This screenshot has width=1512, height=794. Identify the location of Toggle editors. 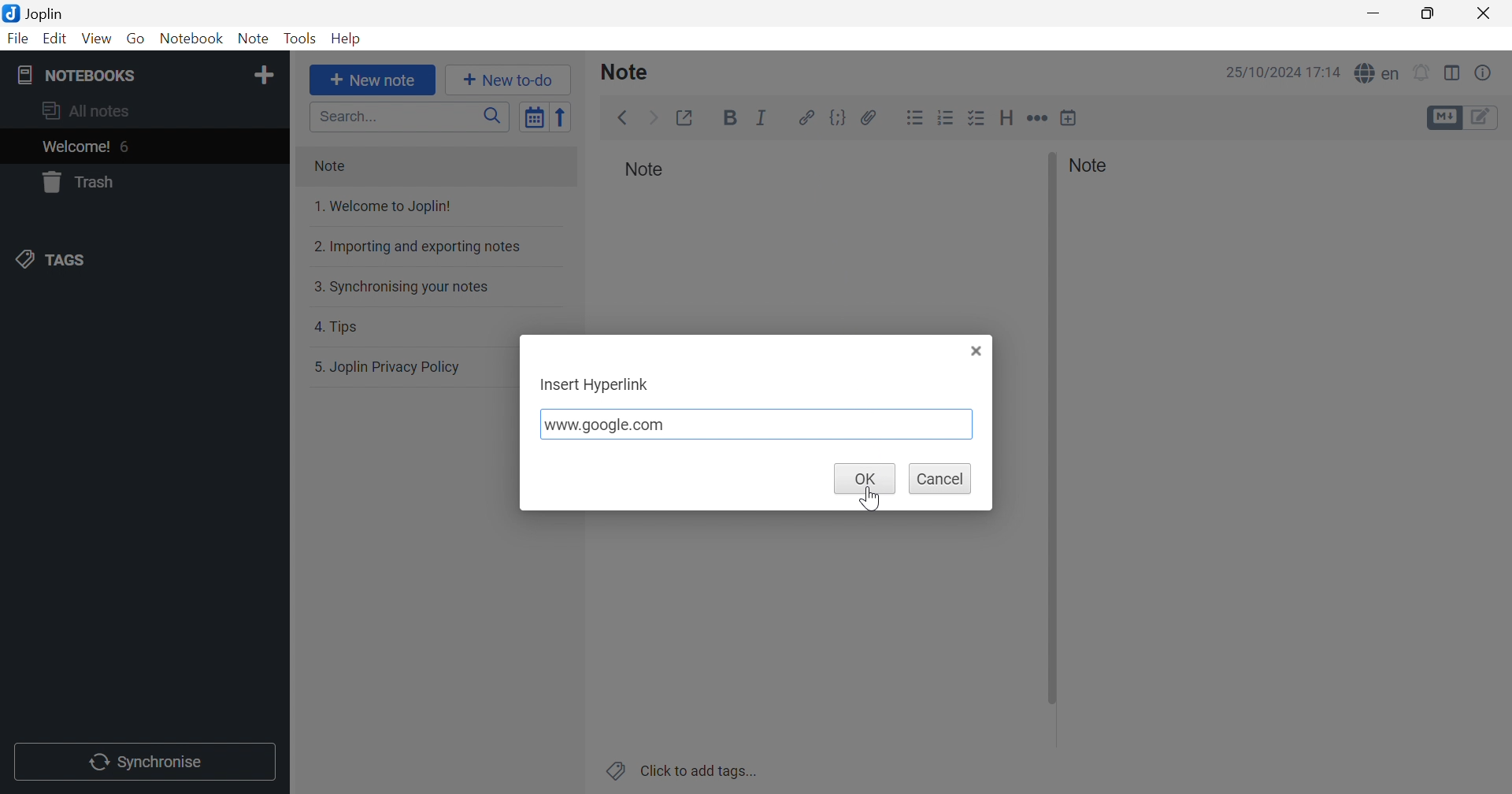
(1443, 117).